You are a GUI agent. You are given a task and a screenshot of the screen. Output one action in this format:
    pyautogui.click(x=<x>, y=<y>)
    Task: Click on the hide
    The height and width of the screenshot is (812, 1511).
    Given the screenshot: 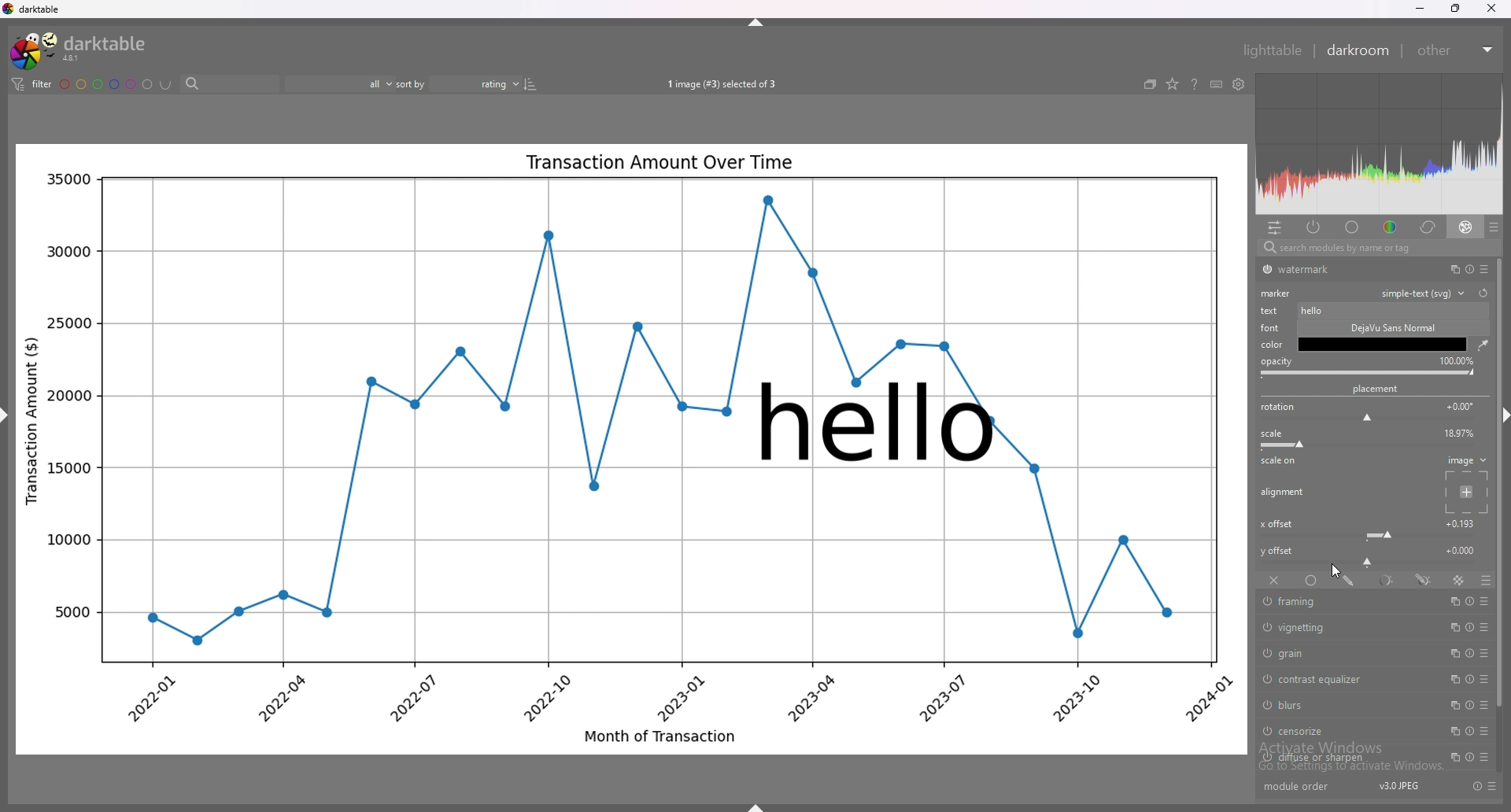 What is the action you would take?
    pyautogui.click(x=757, y=22)
    